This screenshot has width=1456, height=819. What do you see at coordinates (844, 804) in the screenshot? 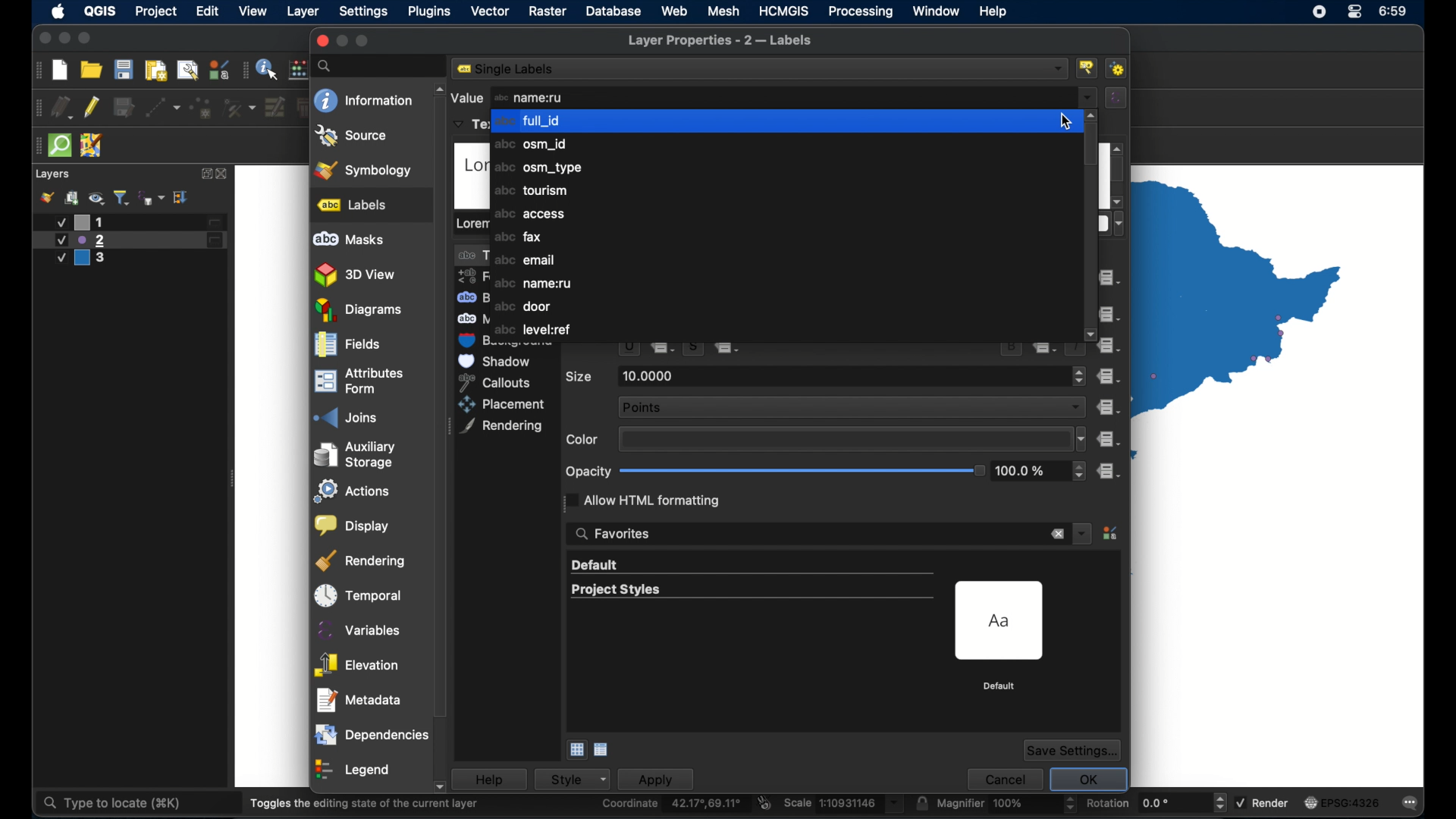
I see `scale` at bounding box center [844, 804].